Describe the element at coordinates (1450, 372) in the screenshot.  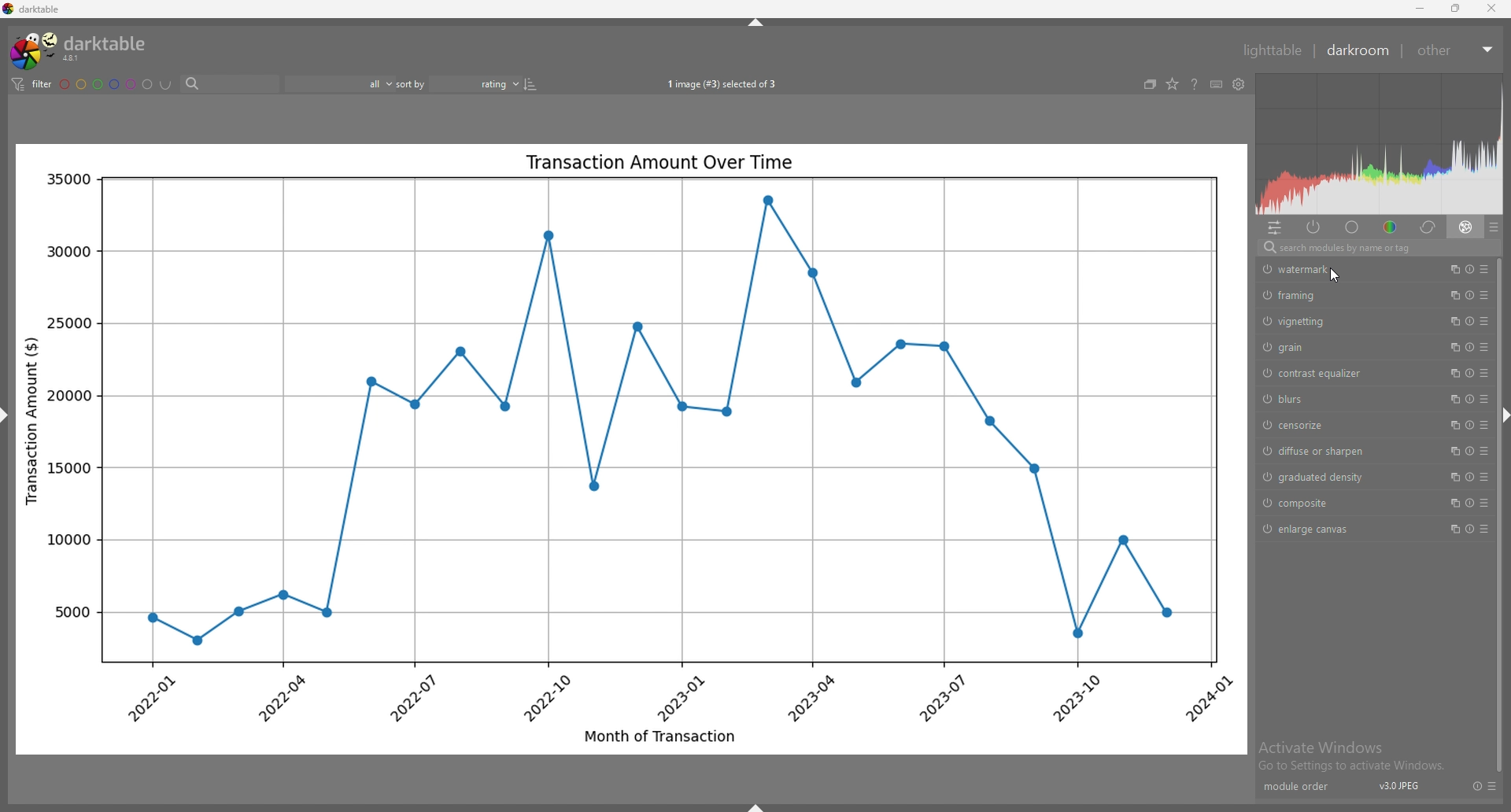
I see `multiple instances action` at that location.